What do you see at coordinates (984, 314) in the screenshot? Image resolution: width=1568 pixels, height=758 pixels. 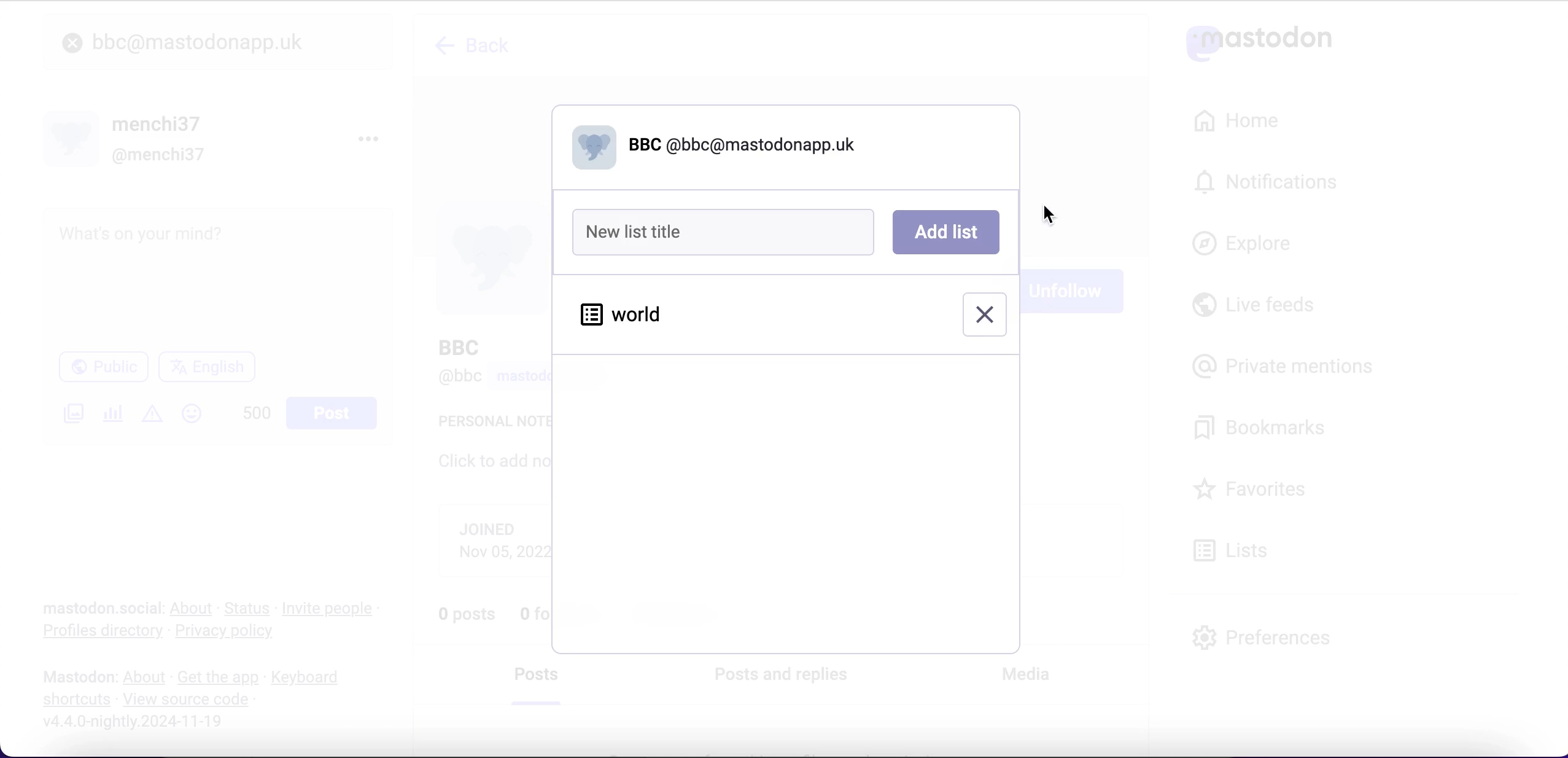 I see `remove` at bounding box center [984, 314].